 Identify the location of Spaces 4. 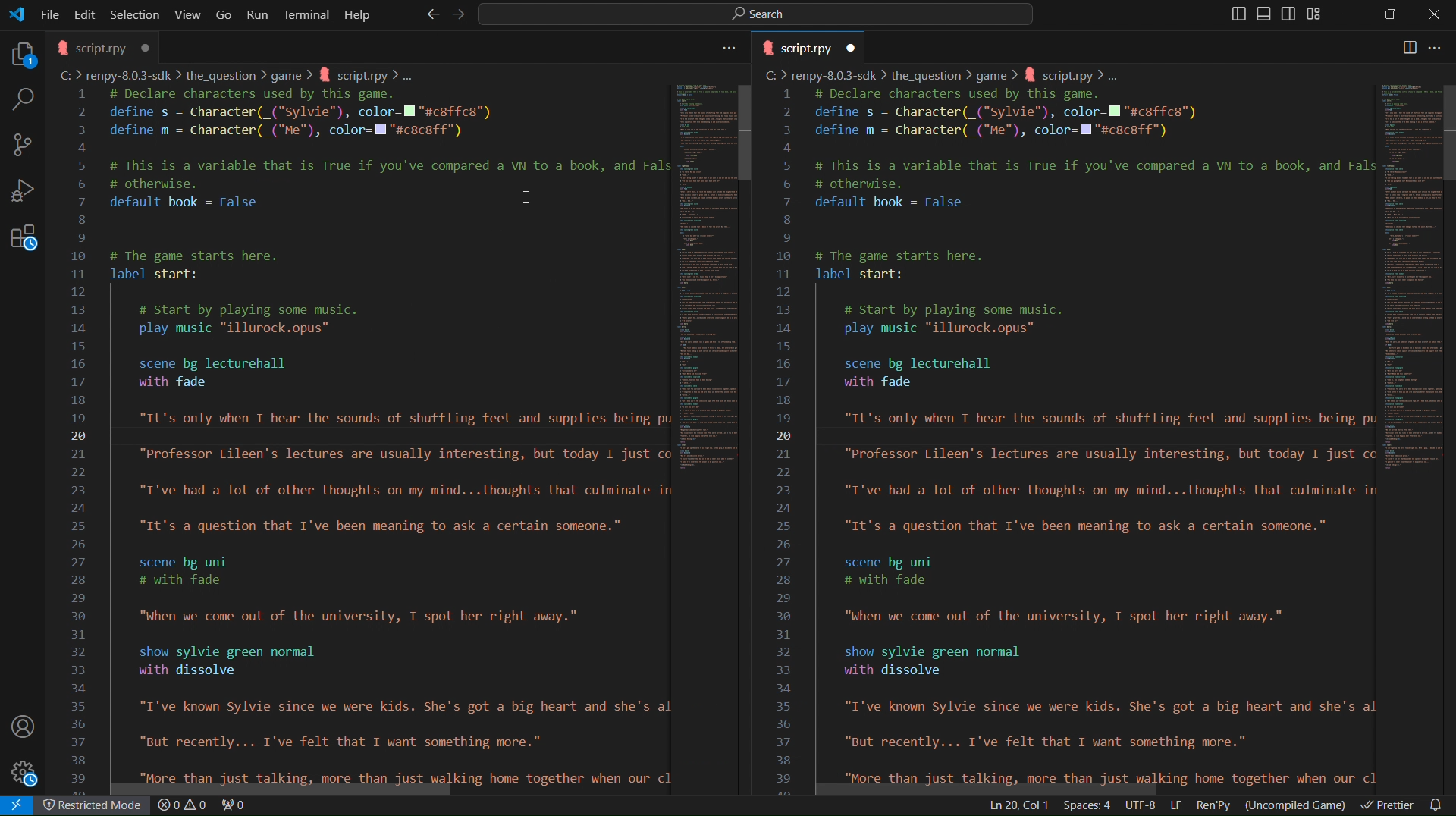
(1090, 805).